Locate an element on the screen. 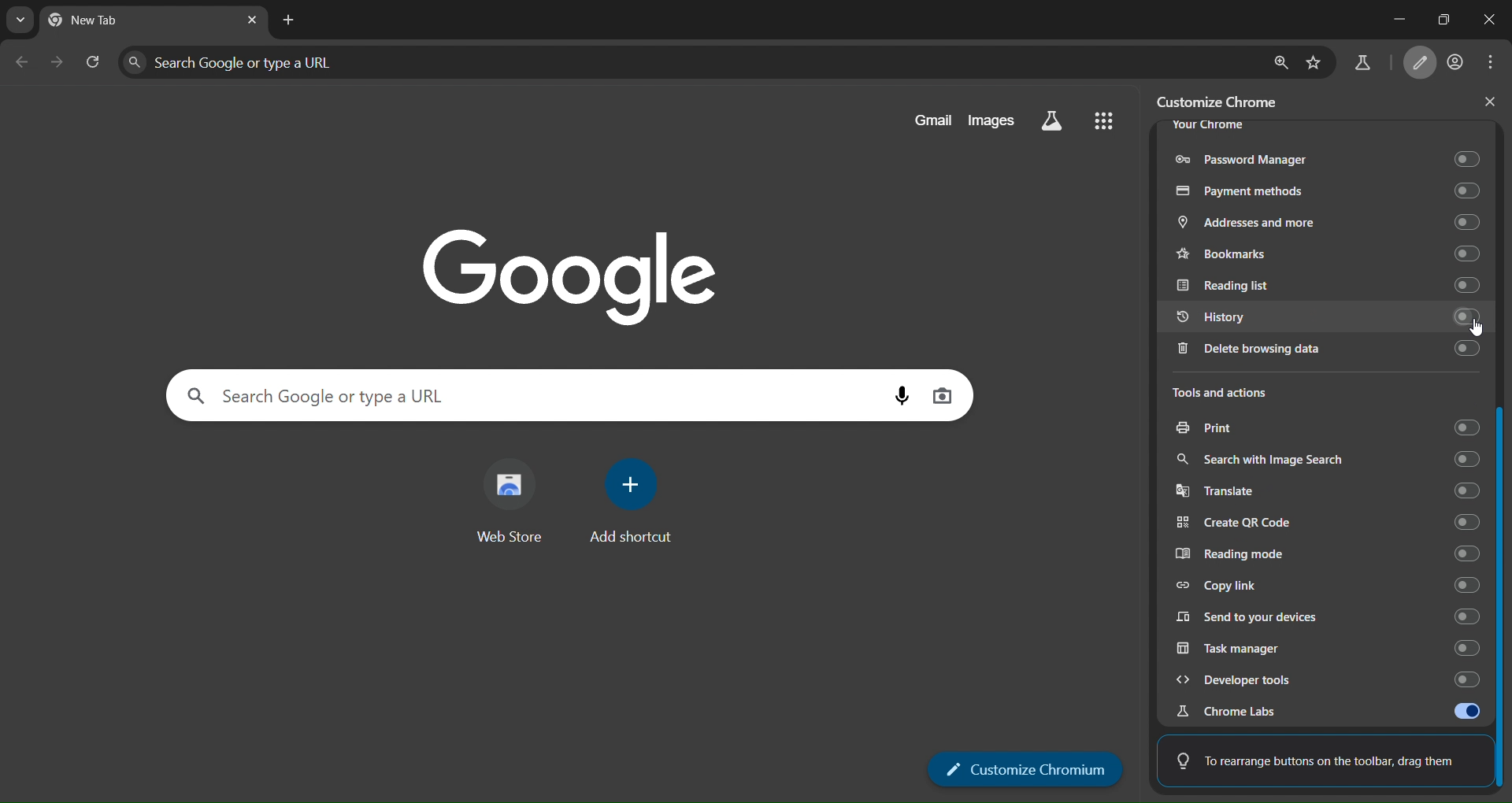  customize chromium is located at coordinates (1423, 64).